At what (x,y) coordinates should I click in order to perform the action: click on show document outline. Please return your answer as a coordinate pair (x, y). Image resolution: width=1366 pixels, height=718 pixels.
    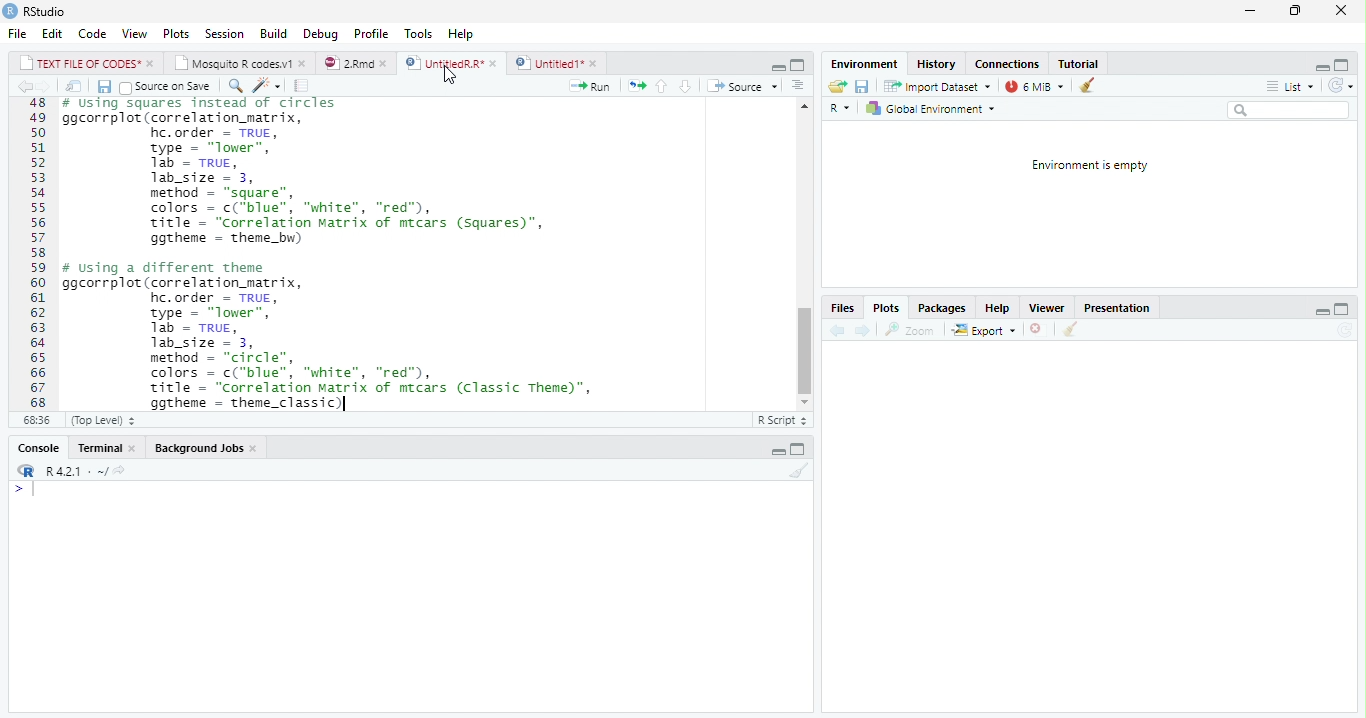
    Looking at the image, I should click on (800, 87).